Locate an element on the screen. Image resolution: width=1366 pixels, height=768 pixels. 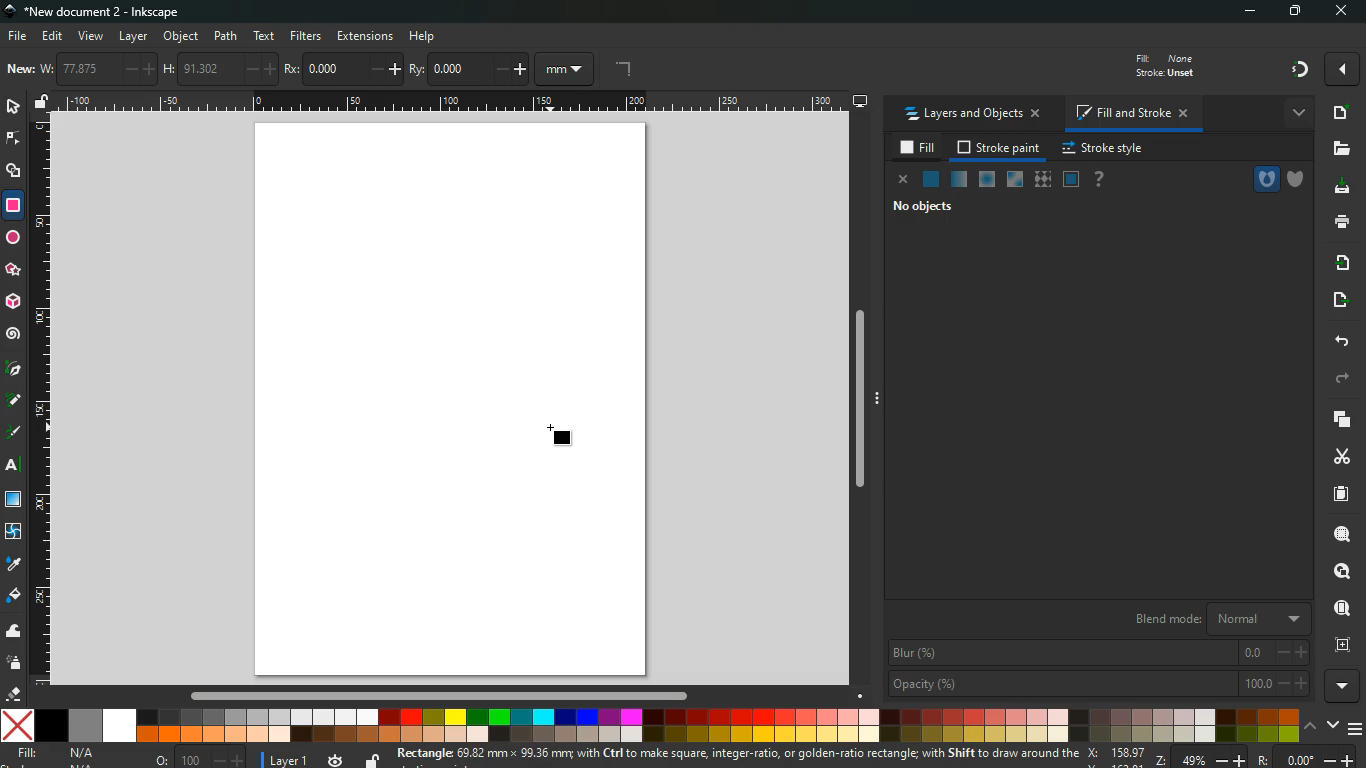
edge is located at coordinates (14, 141).